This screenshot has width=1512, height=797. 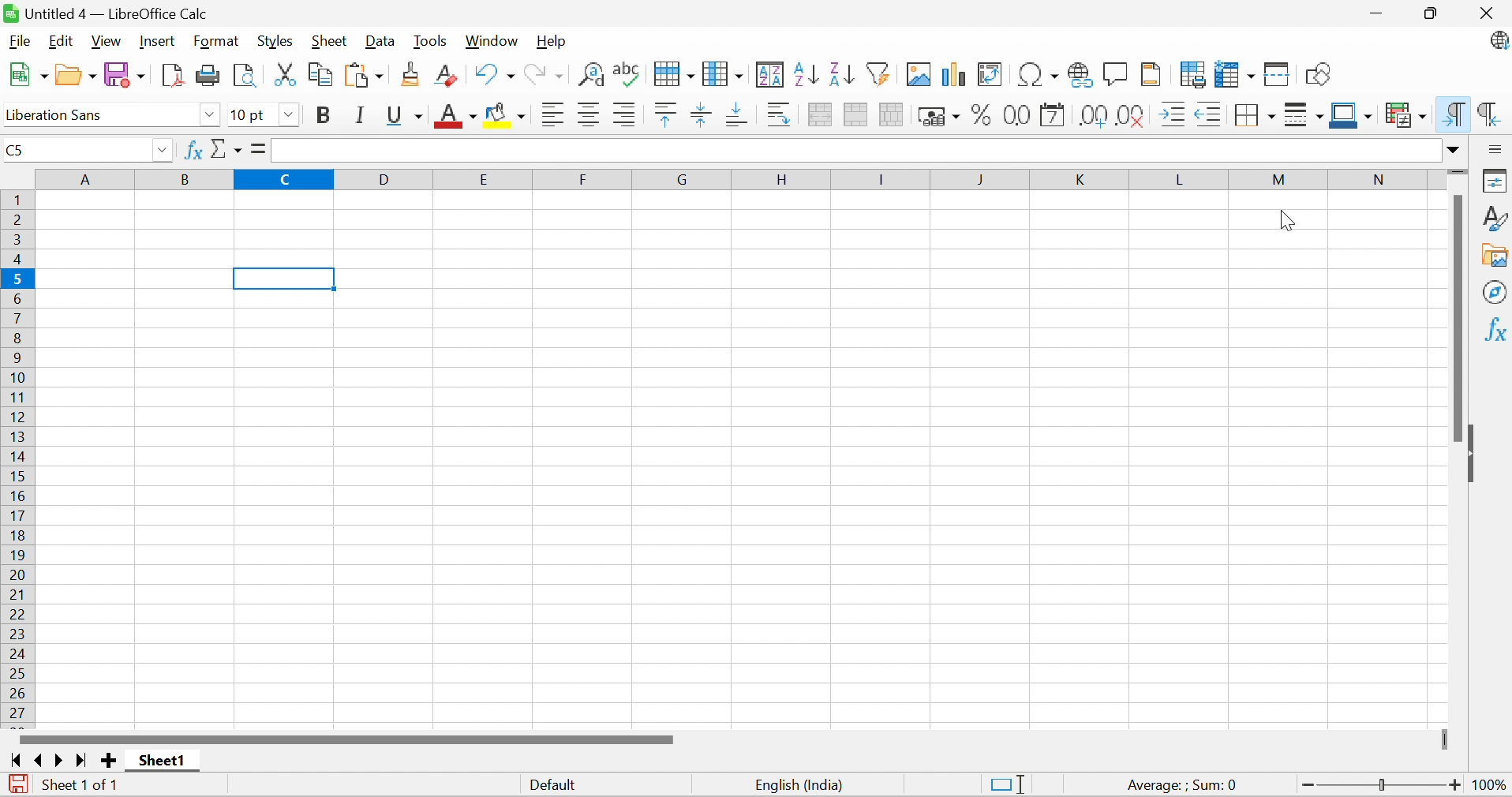 What do you see at coordinates (74, 150) in the screenshot?
I see `Name box` at bounding box center [74, 150].